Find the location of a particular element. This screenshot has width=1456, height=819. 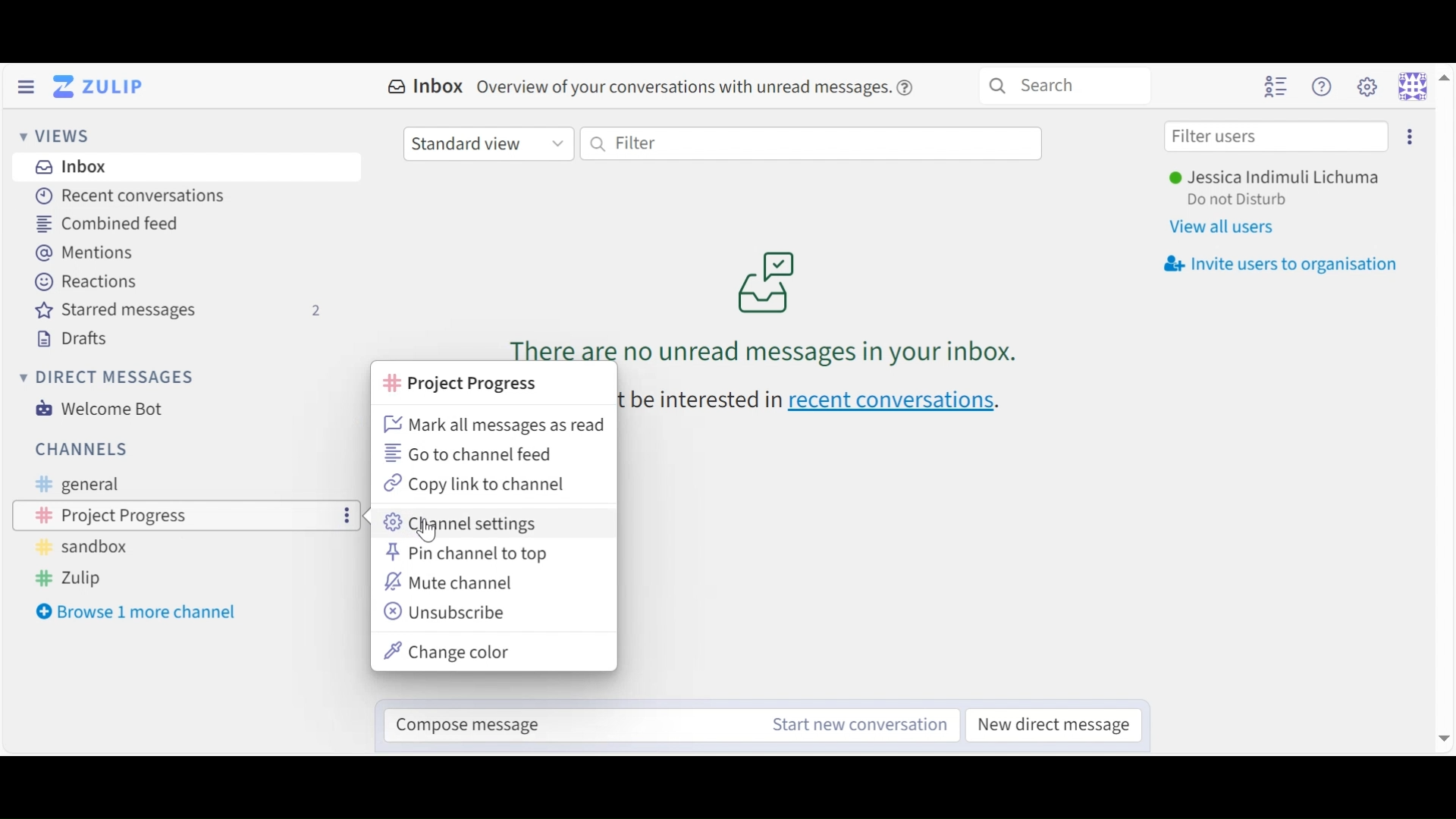

Personal menu is located at coordinates (1423, 86).